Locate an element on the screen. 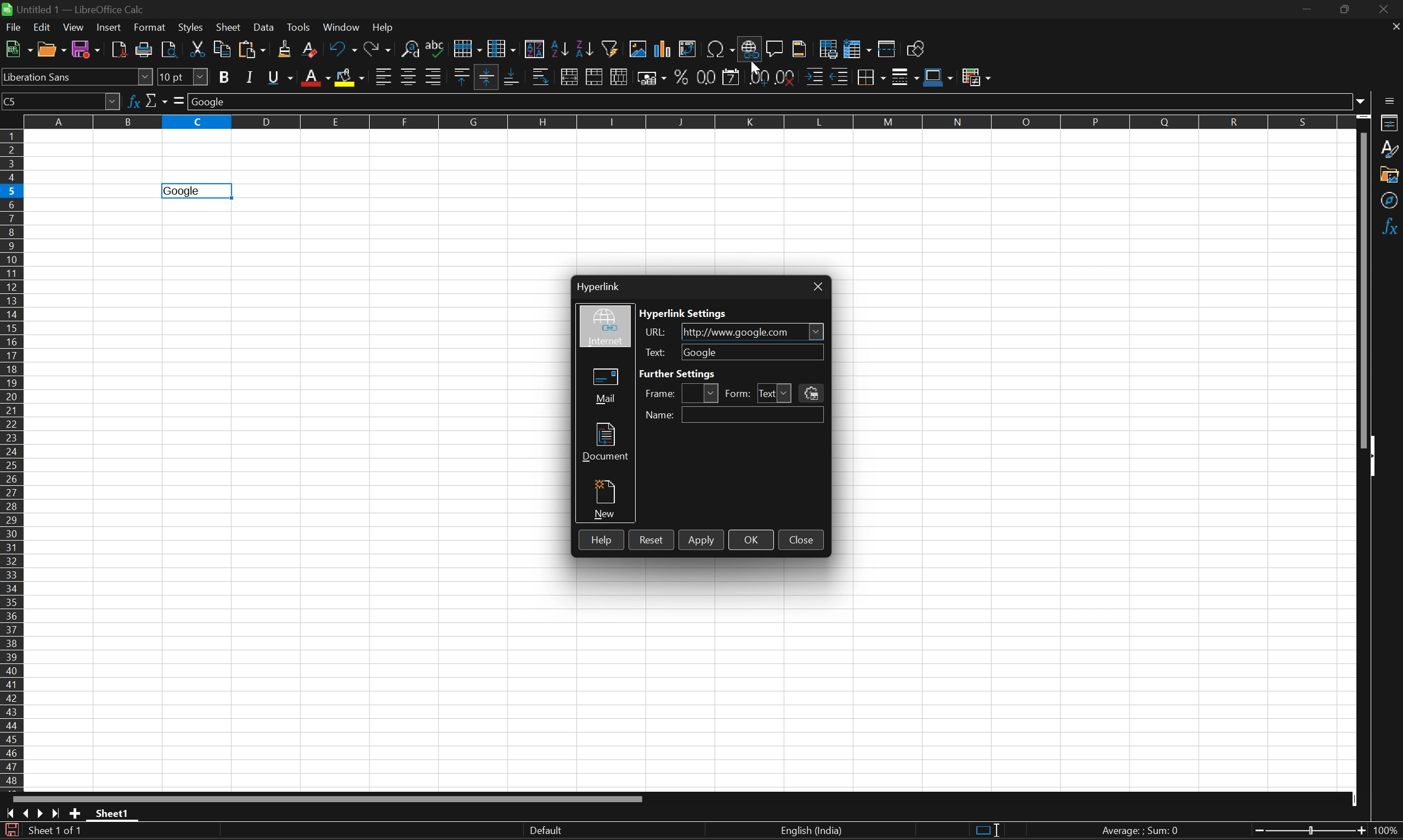 Image resolution: width=1403 pixels, height=840 pixels. Clone formatting is located at coordinates (286, 49).